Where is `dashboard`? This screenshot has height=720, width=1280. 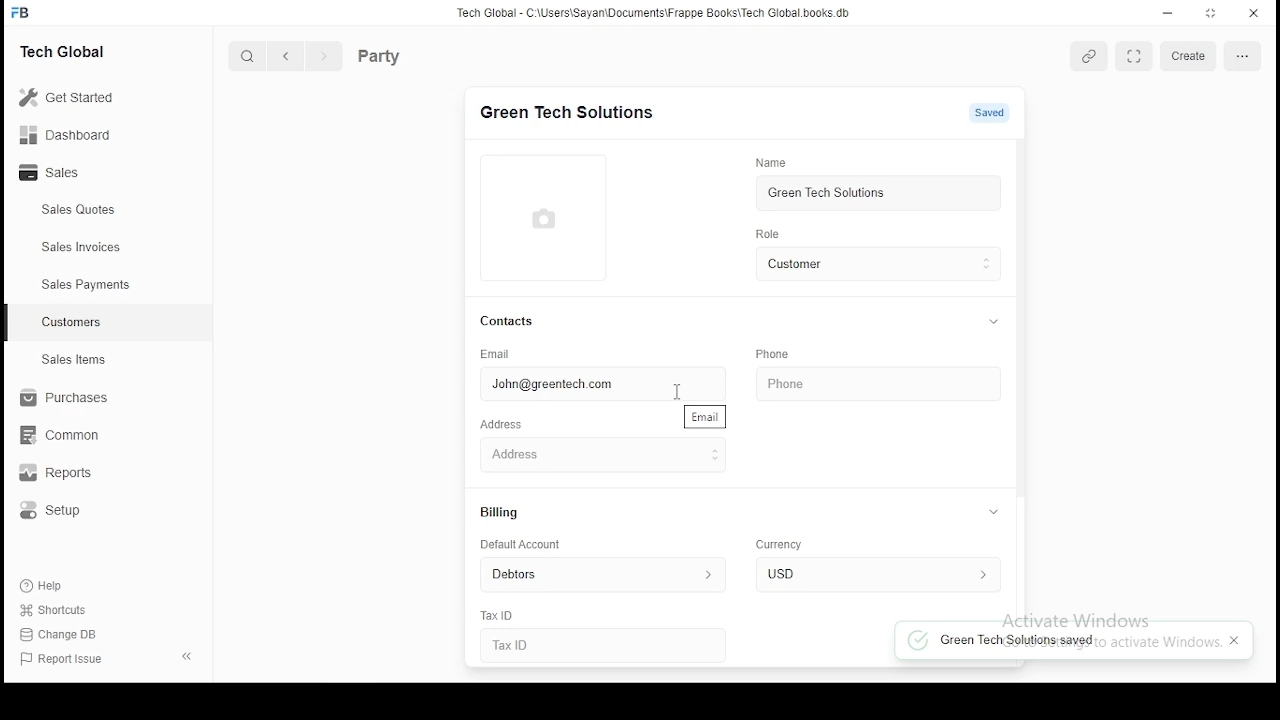 dashboard is located at coordinates (66, 133).